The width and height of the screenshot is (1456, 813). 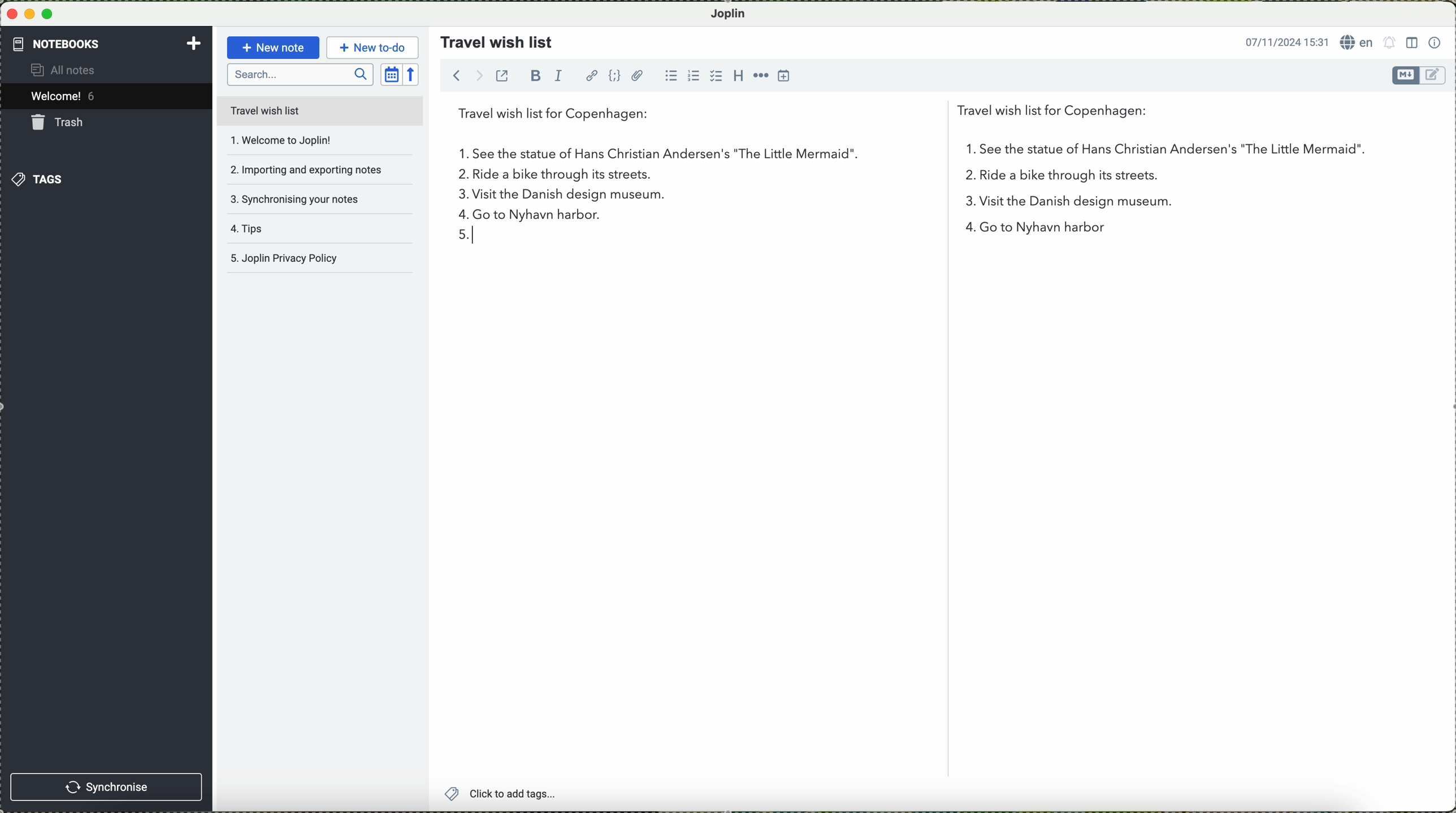 What do you see at coordinates (306, 168) in the screenshot?
I see `importing and exporting notes` at bounding box center [306, 168].